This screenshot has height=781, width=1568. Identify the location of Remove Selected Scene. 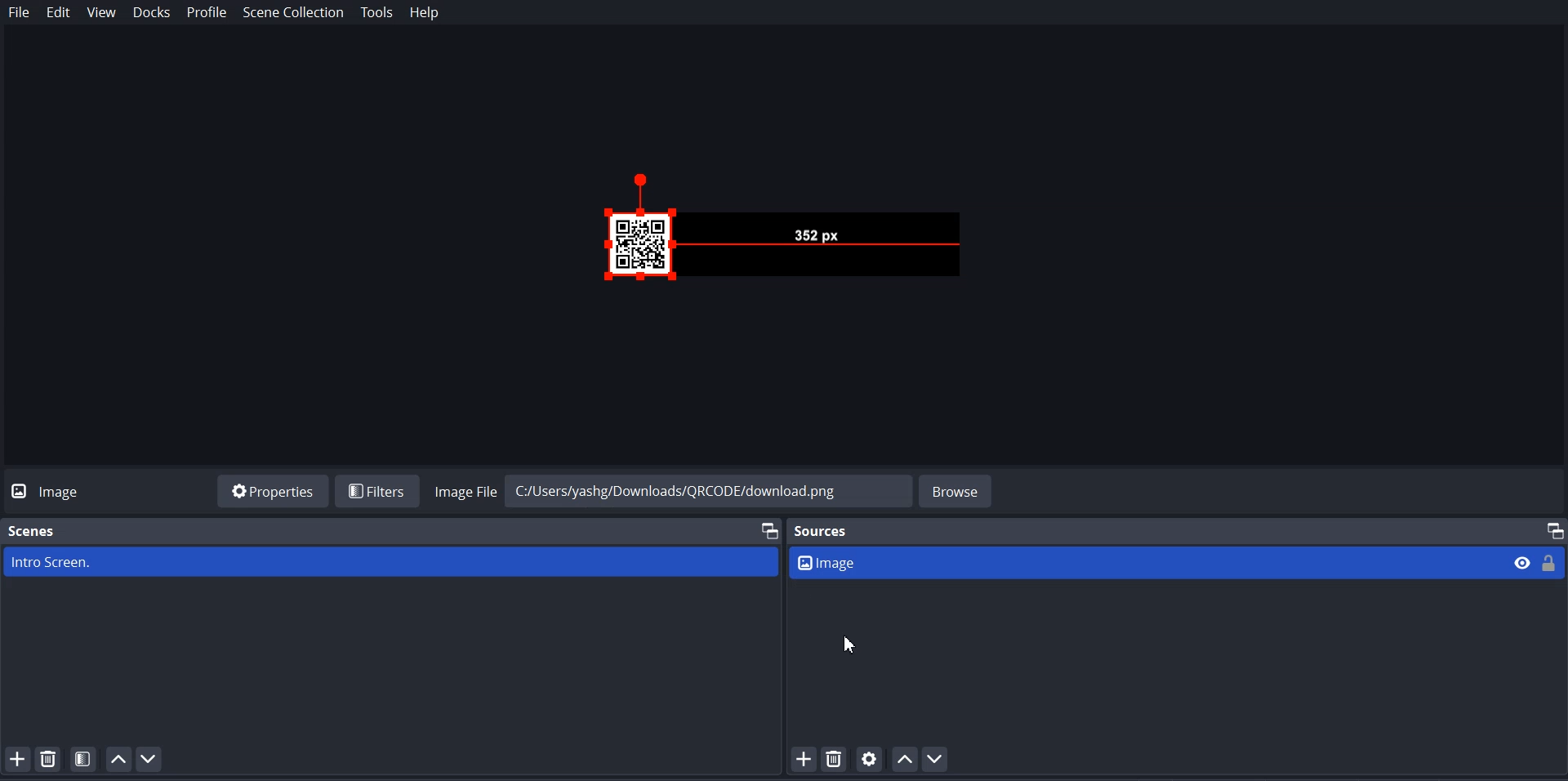
(51, 759).